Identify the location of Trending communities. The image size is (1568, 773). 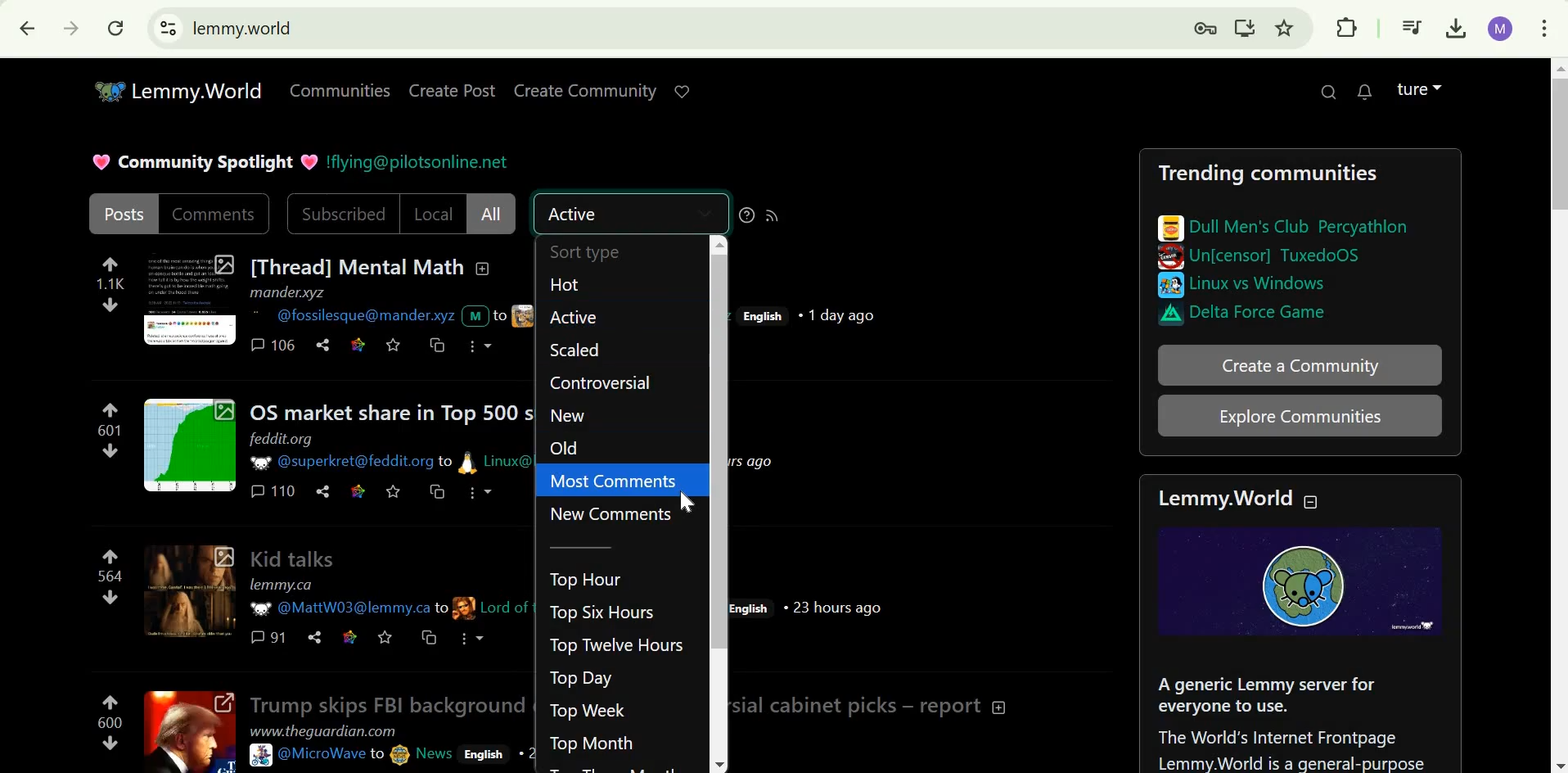
(1268, 172).